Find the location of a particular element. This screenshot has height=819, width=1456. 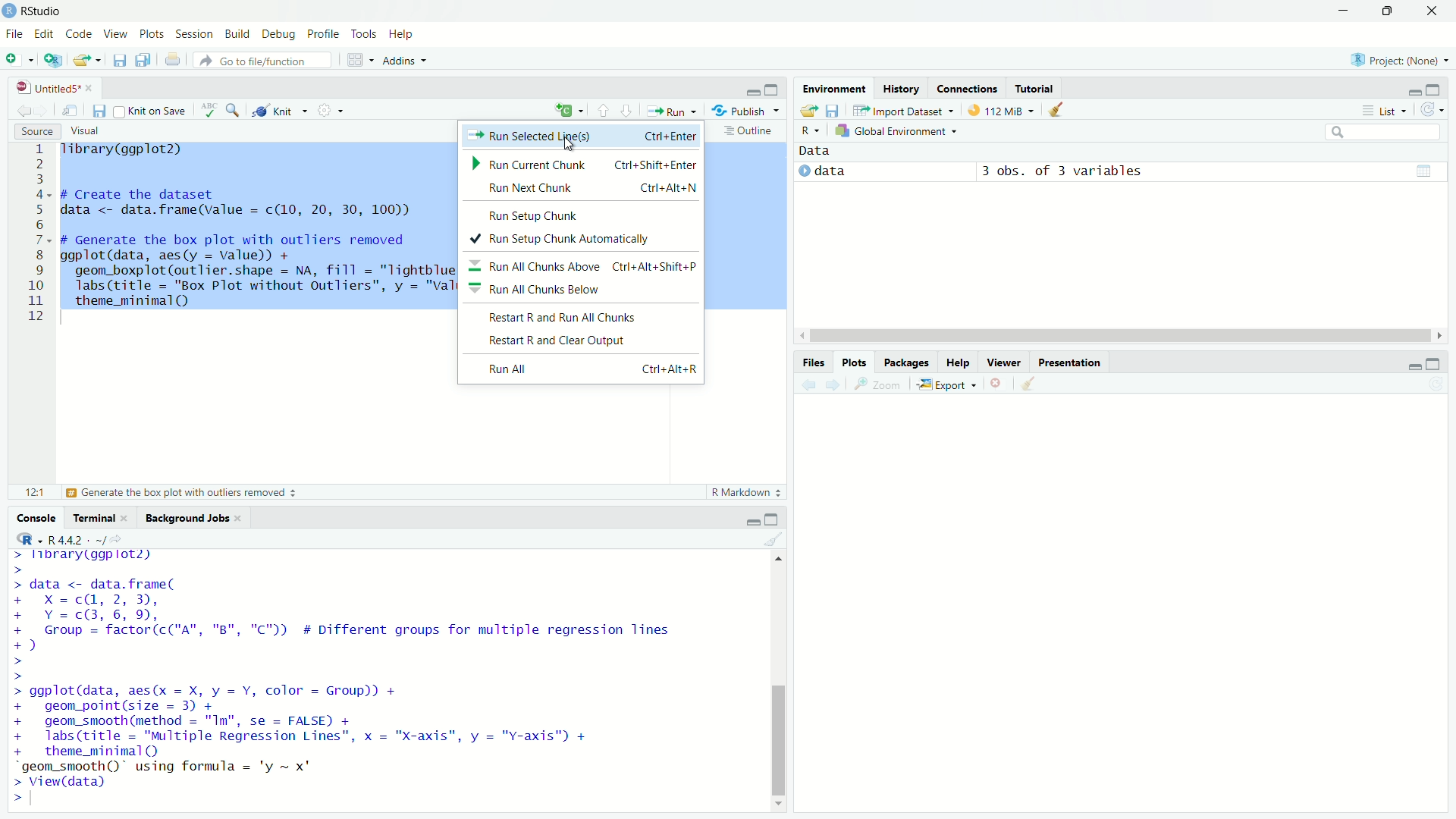

settings is located at coordinates (322, 111).